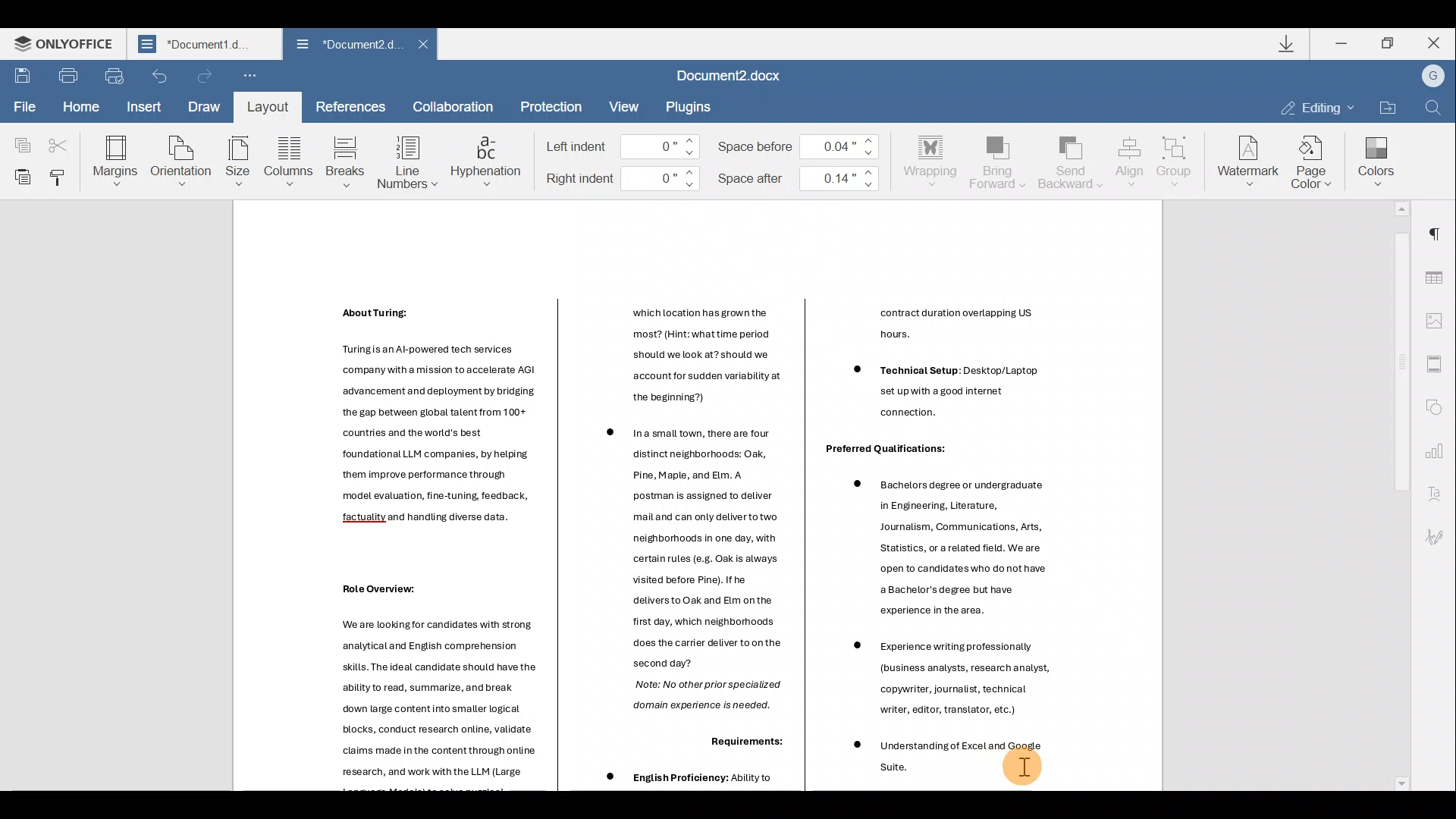 The image size is (1456, 819). What do you see at coordinates (63, 138) in the screenshot?
I see `Cut` at bounding box center [63, 138].